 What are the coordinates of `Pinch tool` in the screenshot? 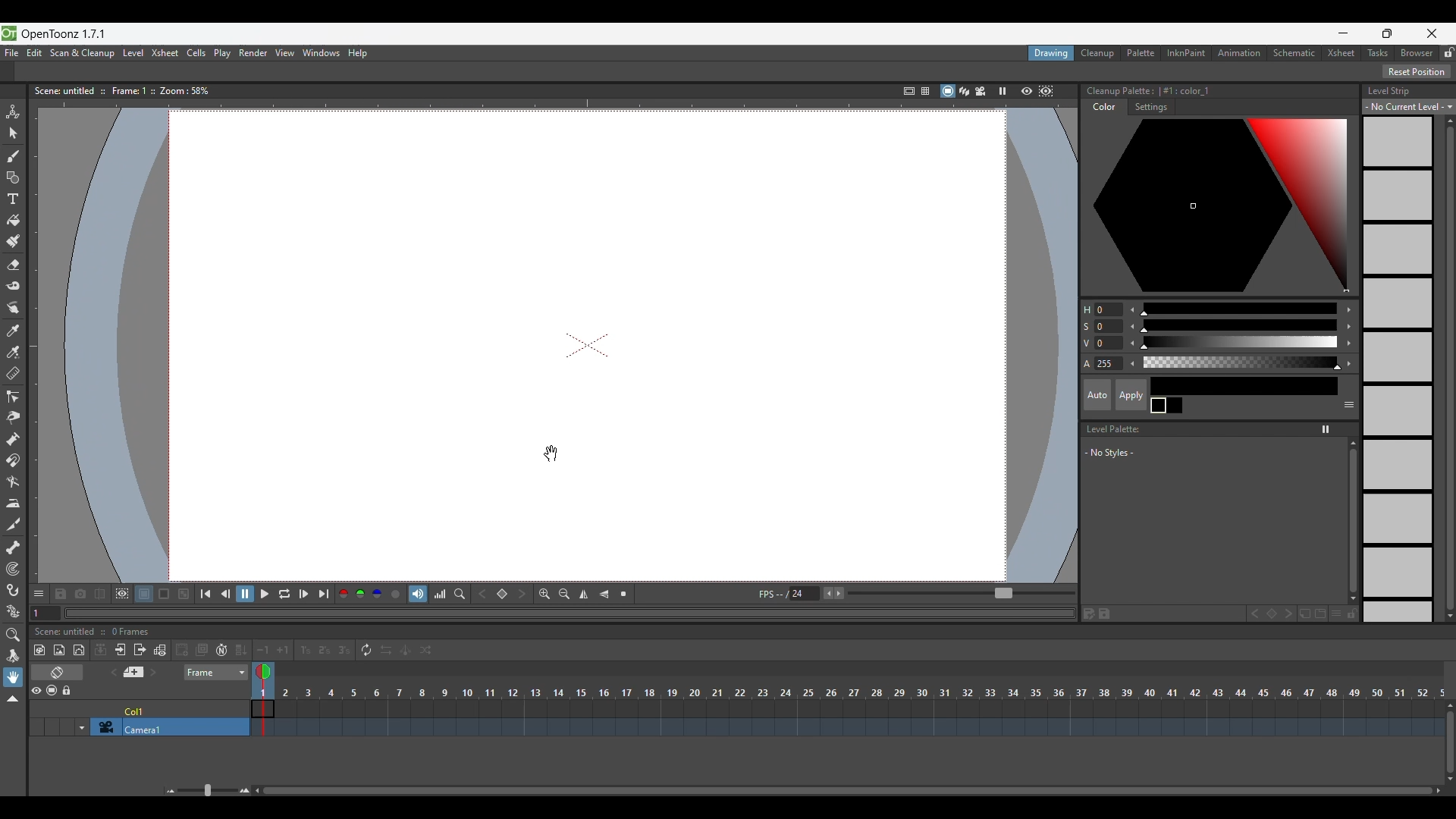 It's located at (12, 417).